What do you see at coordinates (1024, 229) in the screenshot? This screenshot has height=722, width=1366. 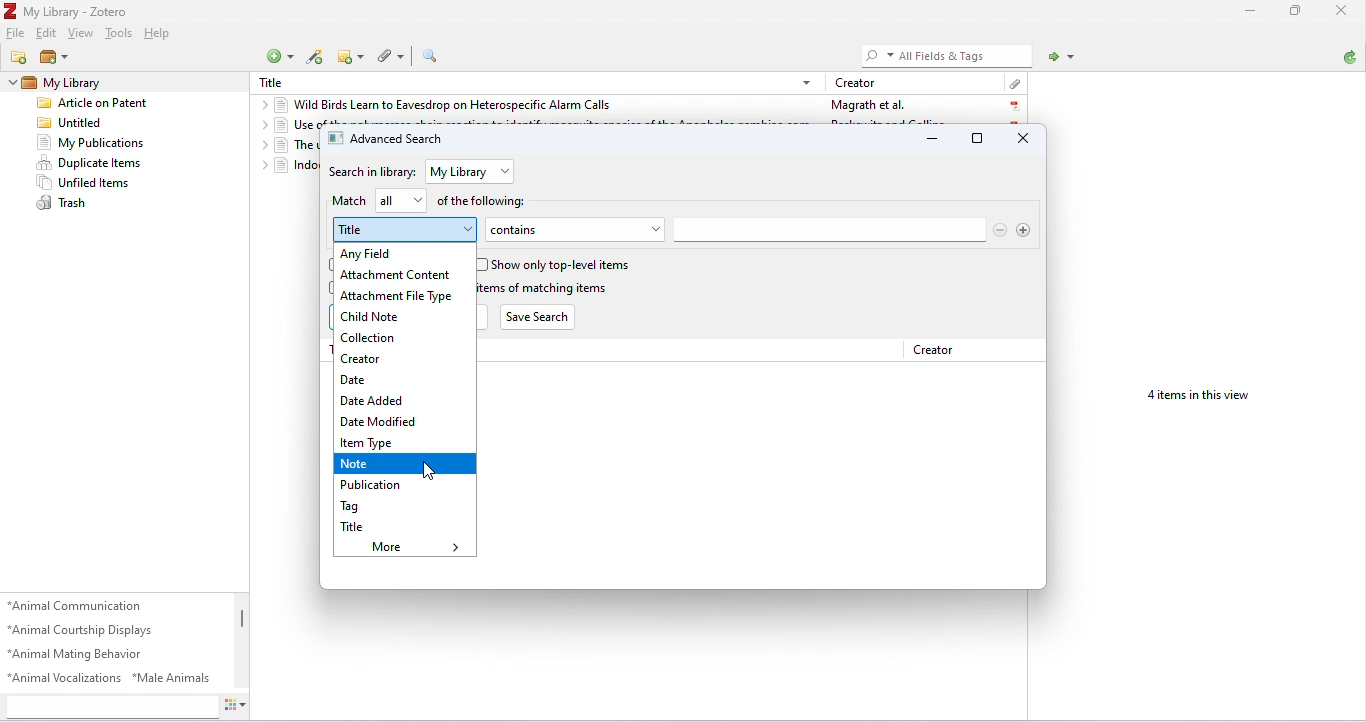 I see `add search option` at bounding box center [1024, 229].